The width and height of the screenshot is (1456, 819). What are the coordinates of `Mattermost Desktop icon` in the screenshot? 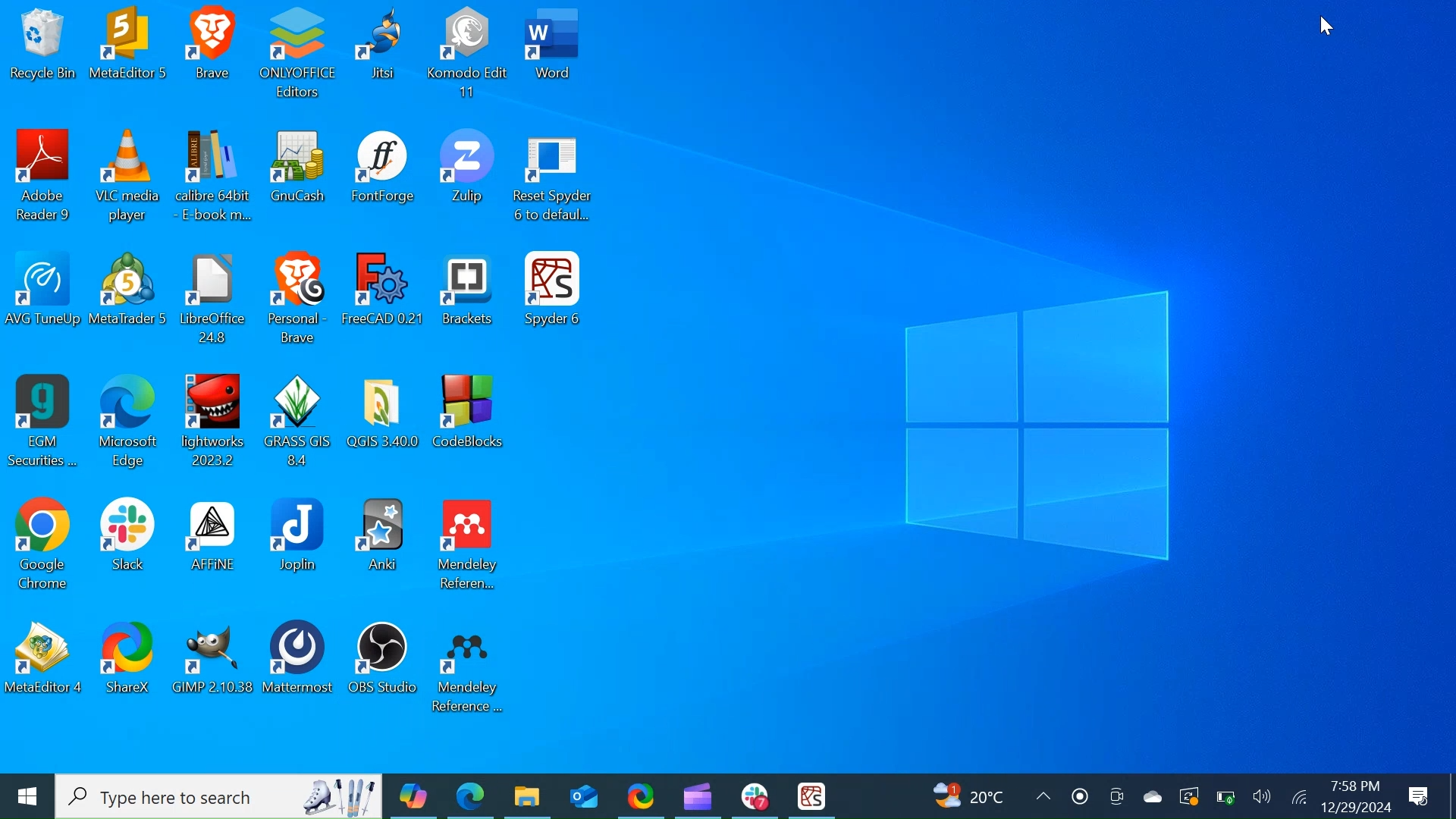 It's located at (300, 662).